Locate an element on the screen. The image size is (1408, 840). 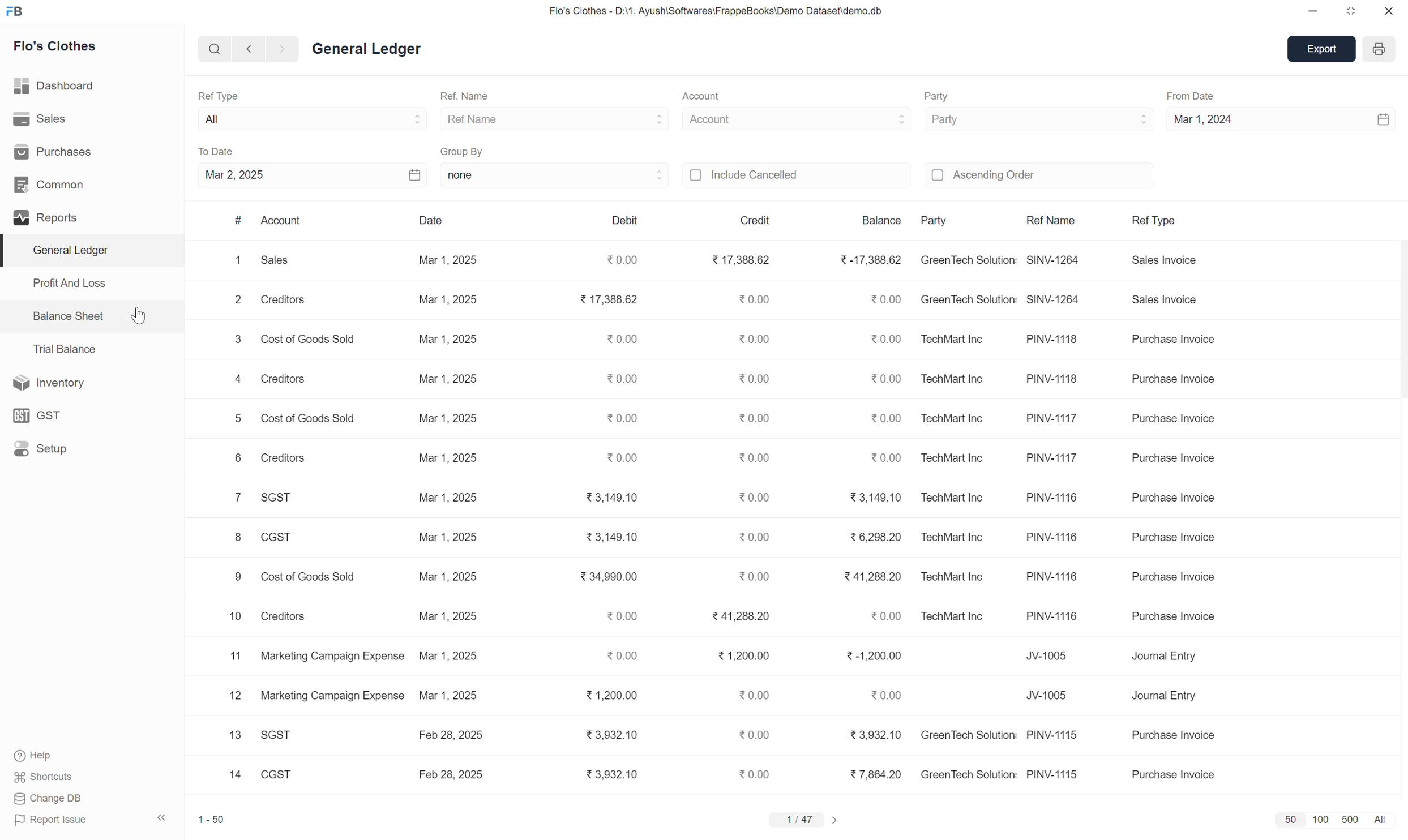
# is located at coordinates (236, 219).